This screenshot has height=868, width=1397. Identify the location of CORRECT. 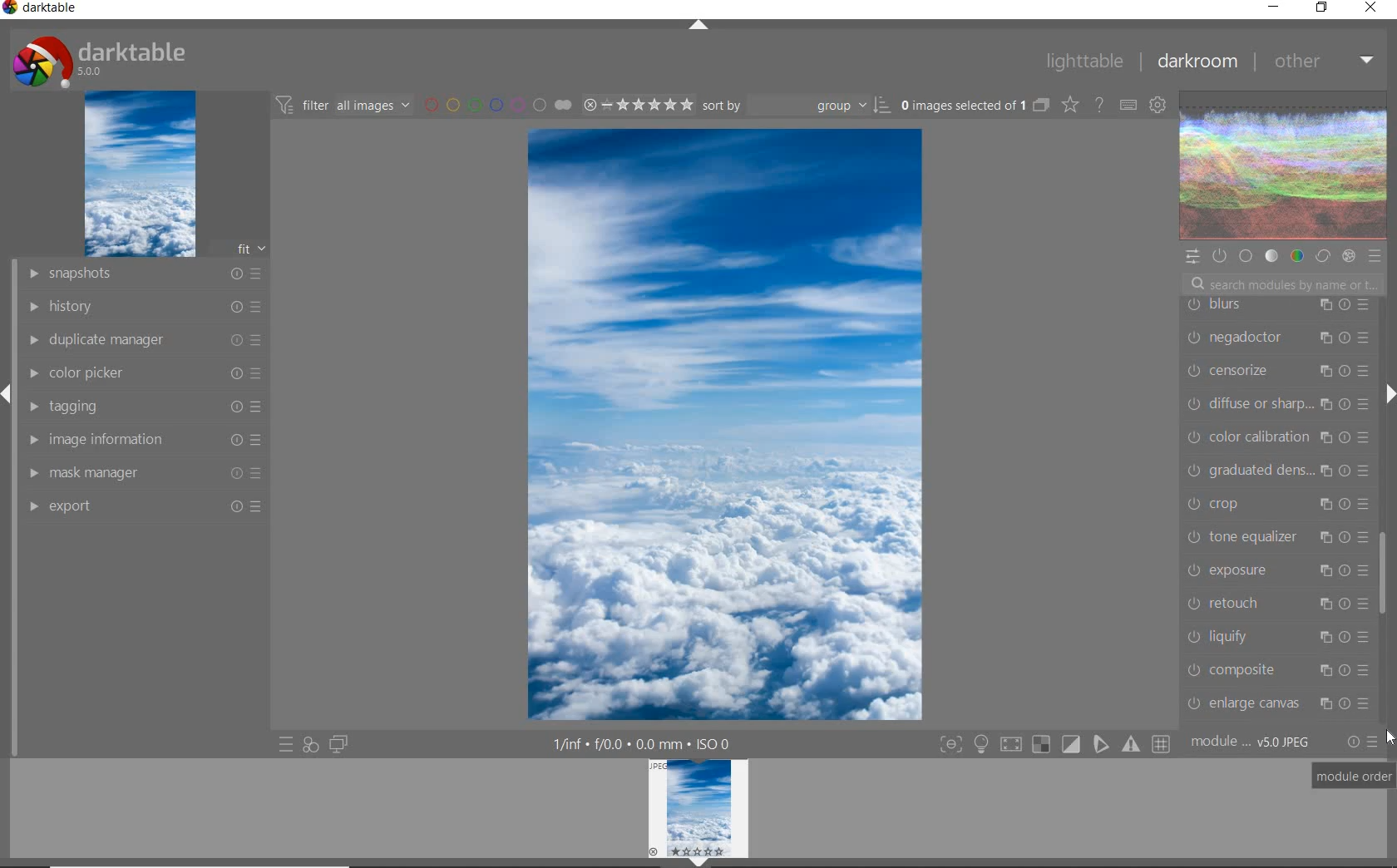
(1322, 255).